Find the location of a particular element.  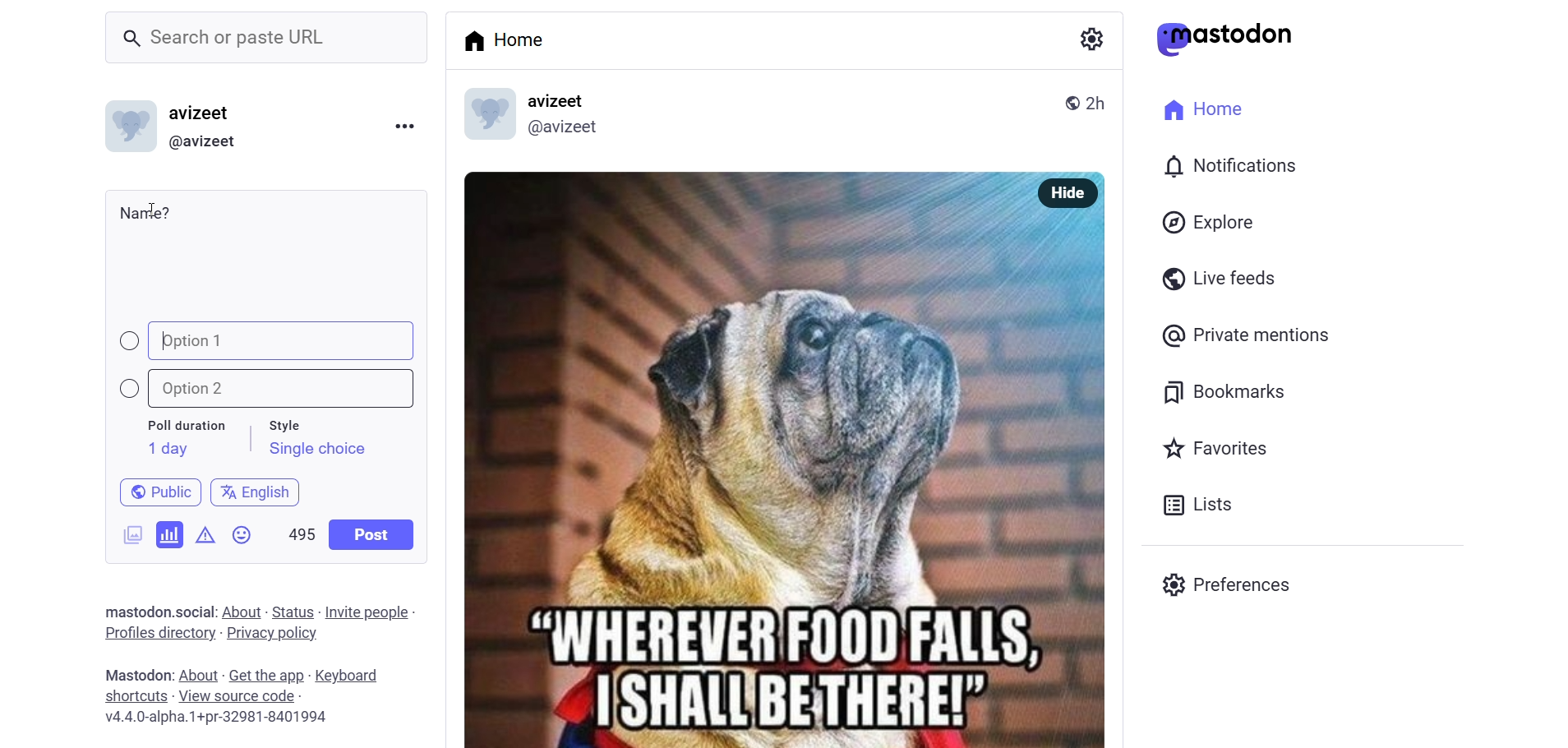

live feed is located at coordinates (1215, 277).